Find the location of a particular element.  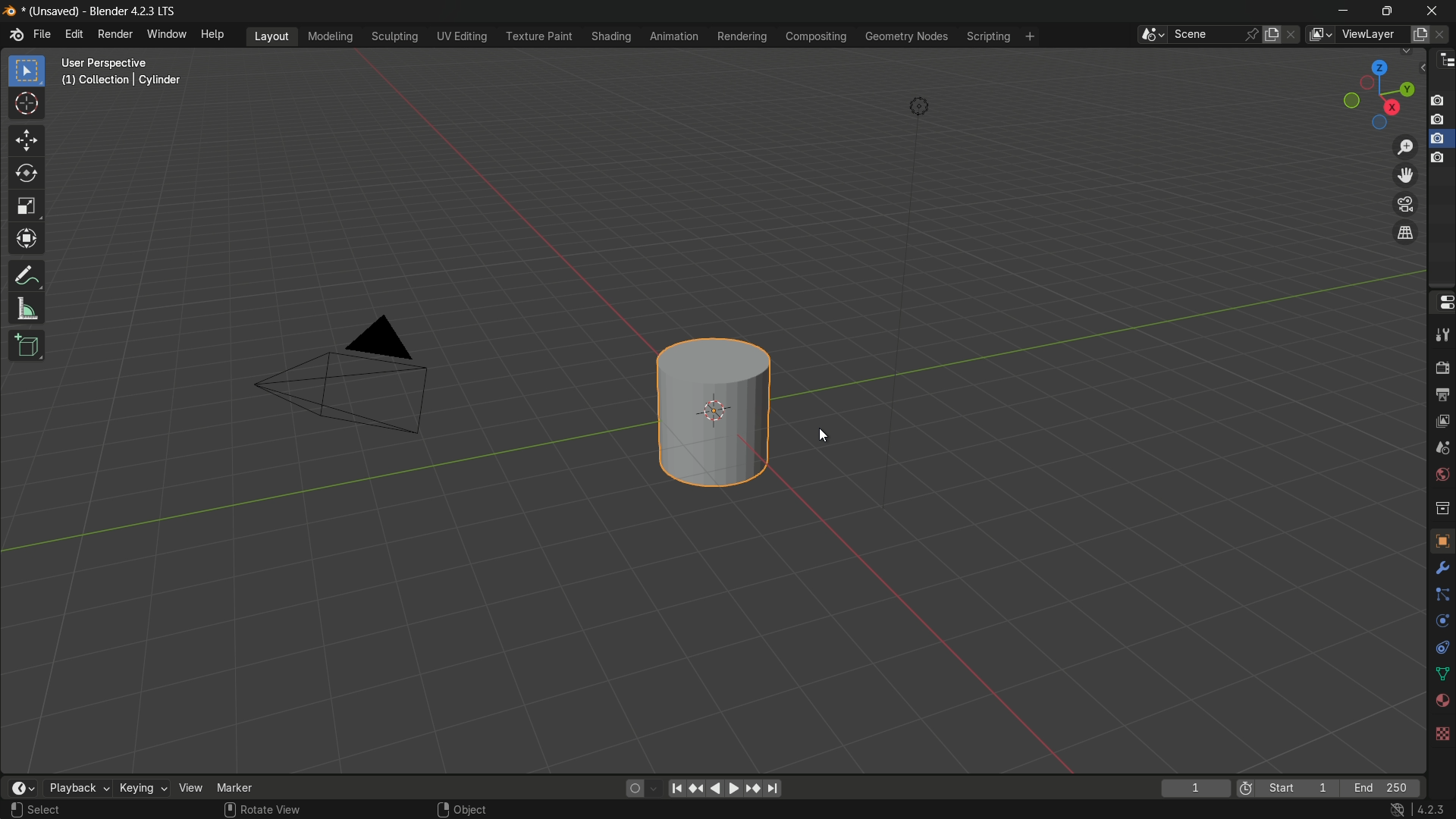

close app is located at coordinates (1435, 10).